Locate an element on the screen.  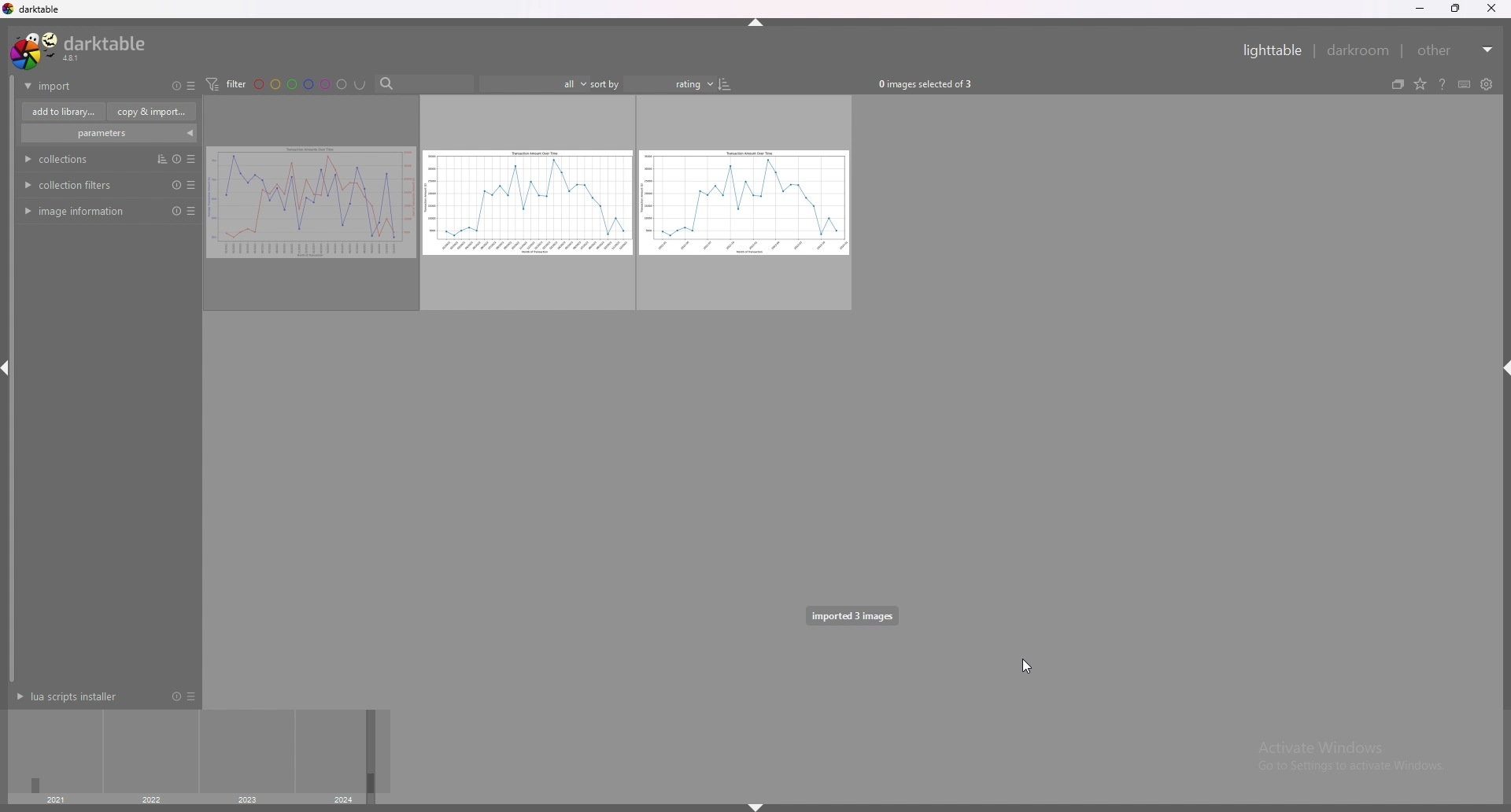
time selector is located at coordinates (247, 752).